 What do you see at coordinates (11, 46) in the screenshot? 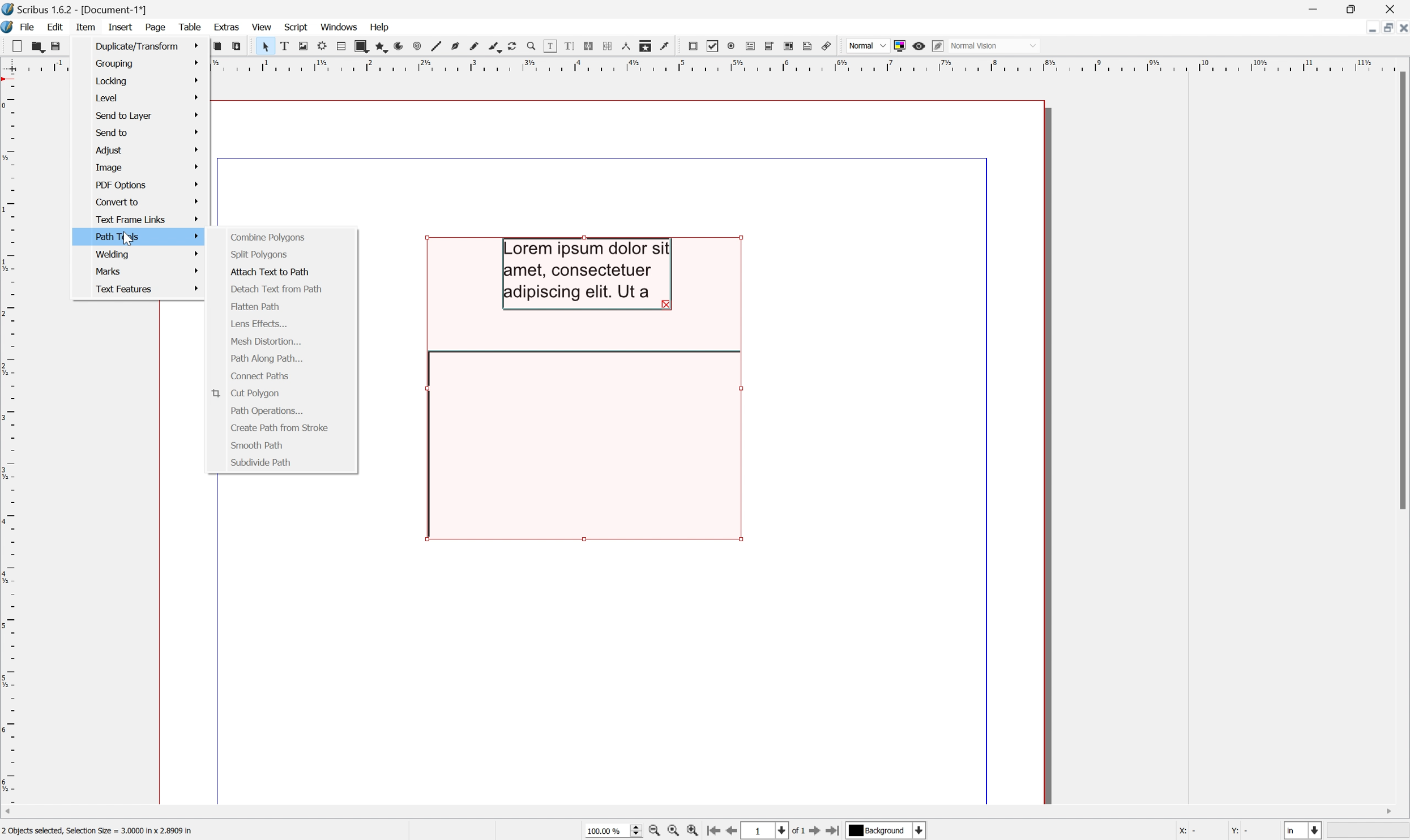
I see `New` at bounding box center [11, 46].